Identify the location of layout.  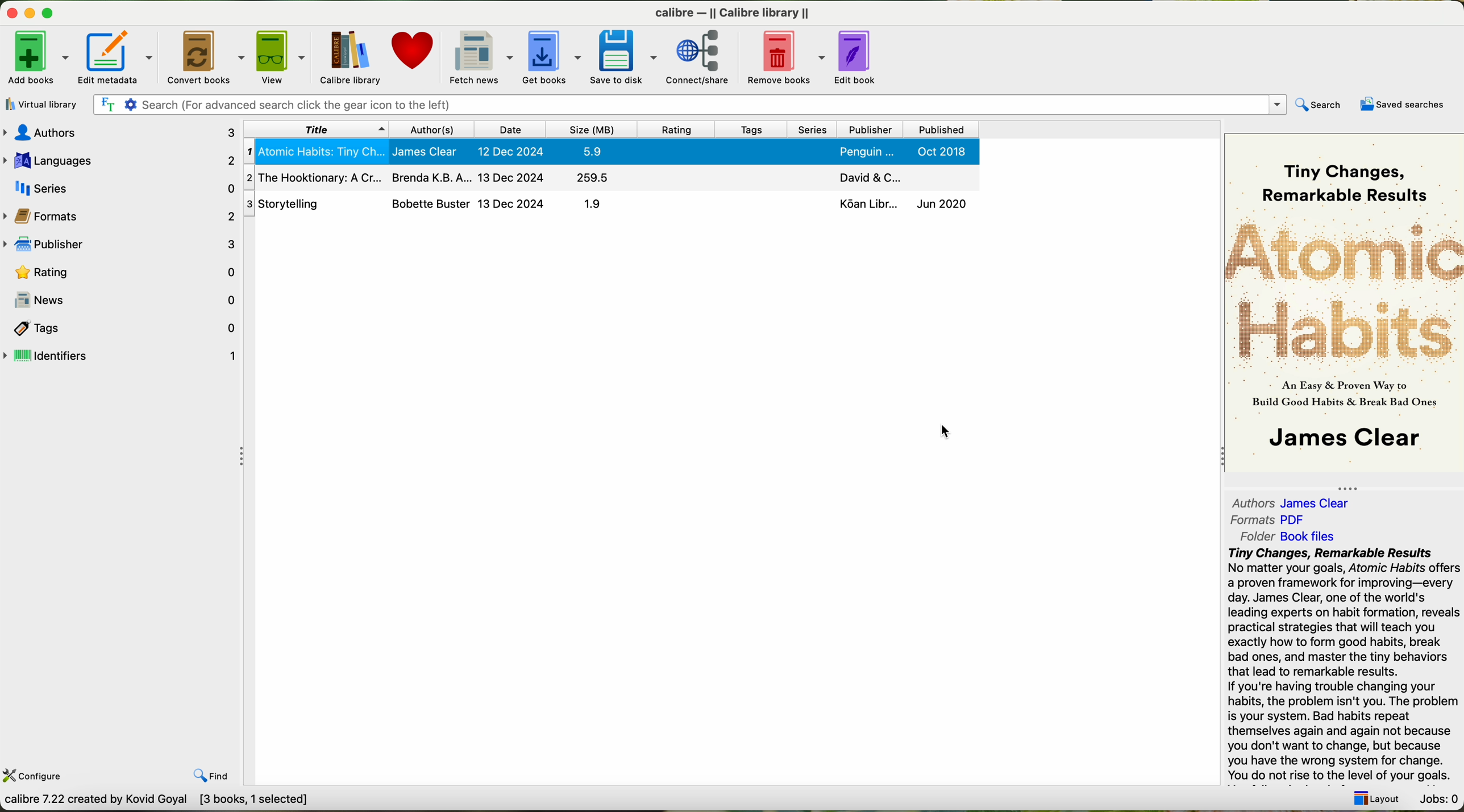
(1380, 801).